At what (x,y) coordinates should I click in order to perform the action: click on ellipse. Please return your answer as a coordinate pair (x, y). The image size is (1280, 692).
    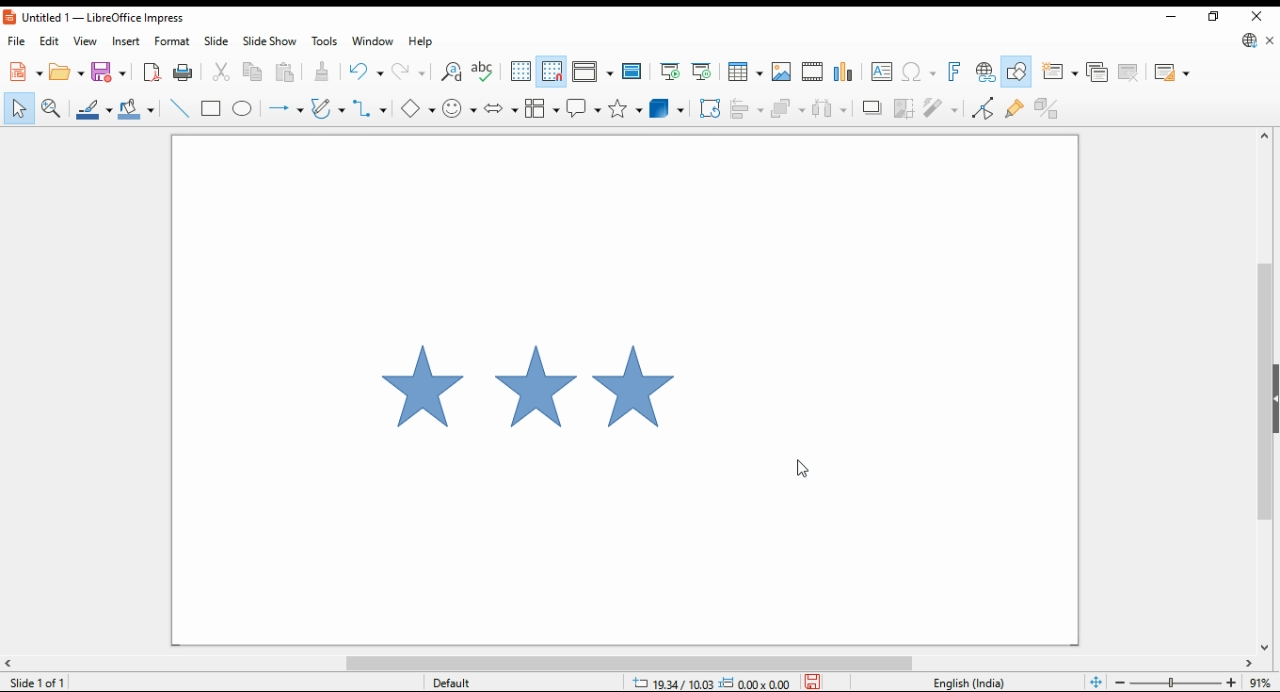
    Looking at the image, I should click on (242, 108).